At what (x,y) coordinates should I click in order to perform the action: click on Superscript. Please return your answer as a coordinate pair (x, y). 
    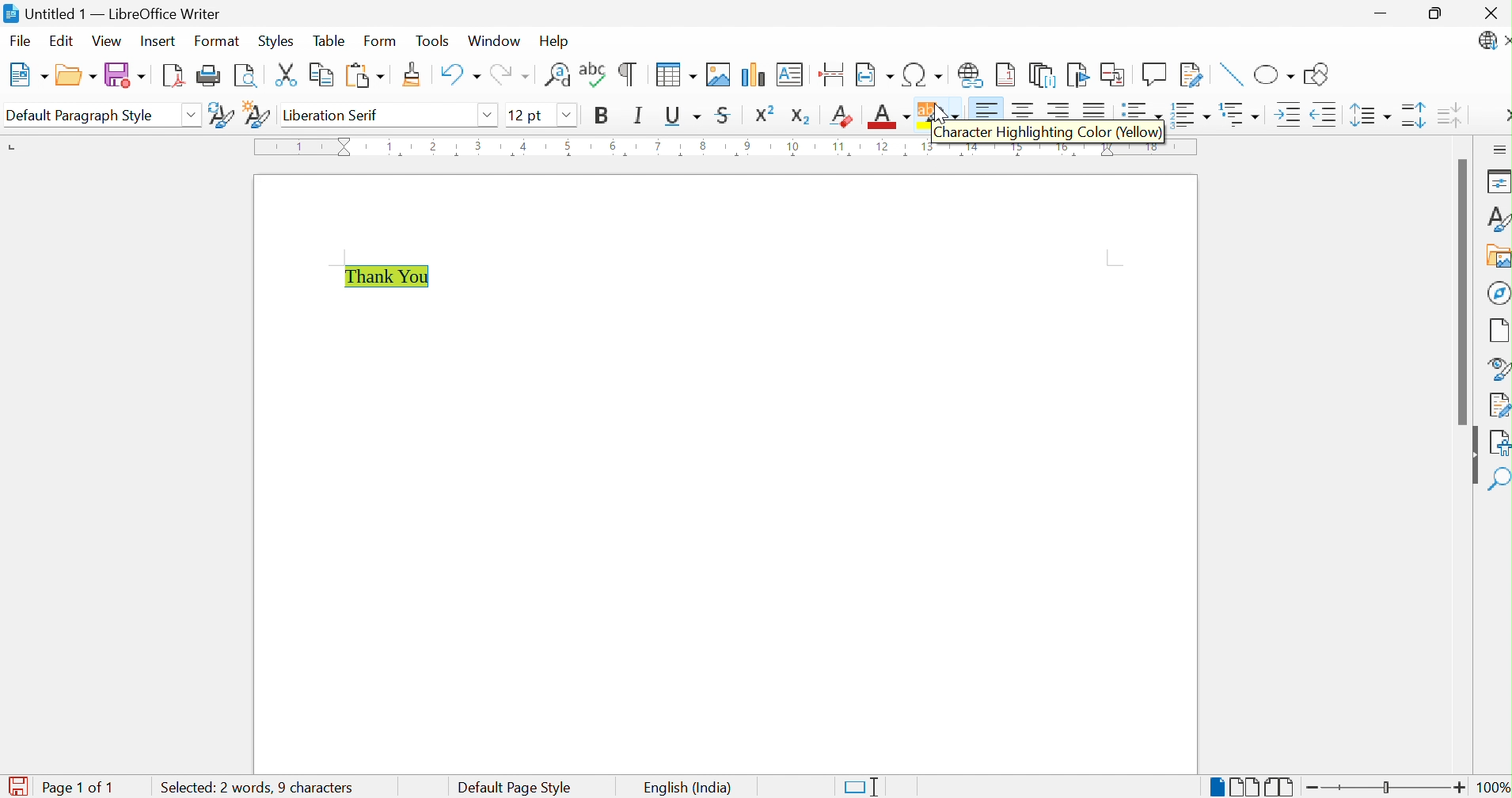
    Looking at the image, I should click on (765, 114).